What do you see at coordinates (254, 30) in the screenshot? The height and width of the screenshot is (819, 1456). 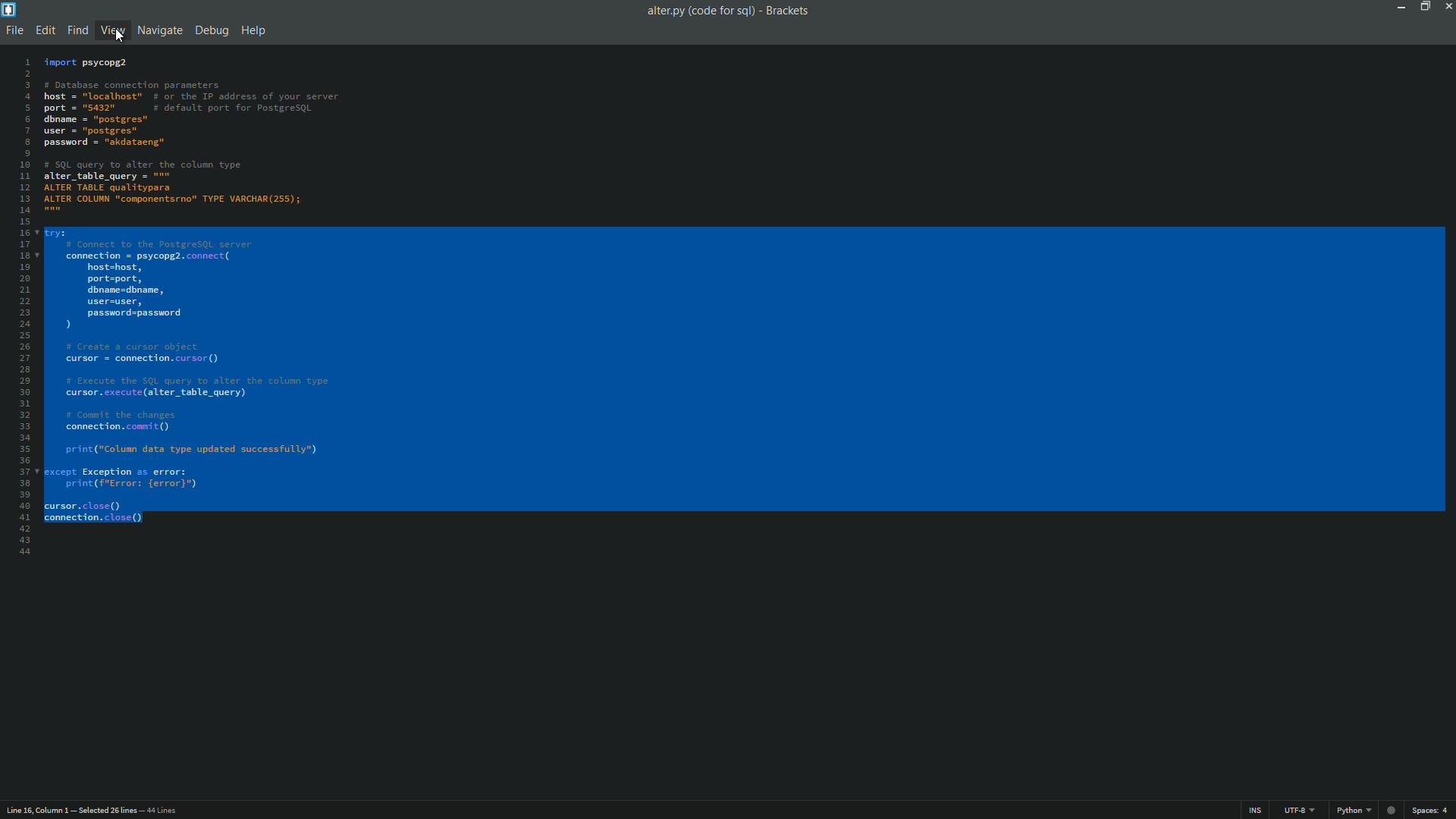 I see `help menu` at bounding box center [254, 30].